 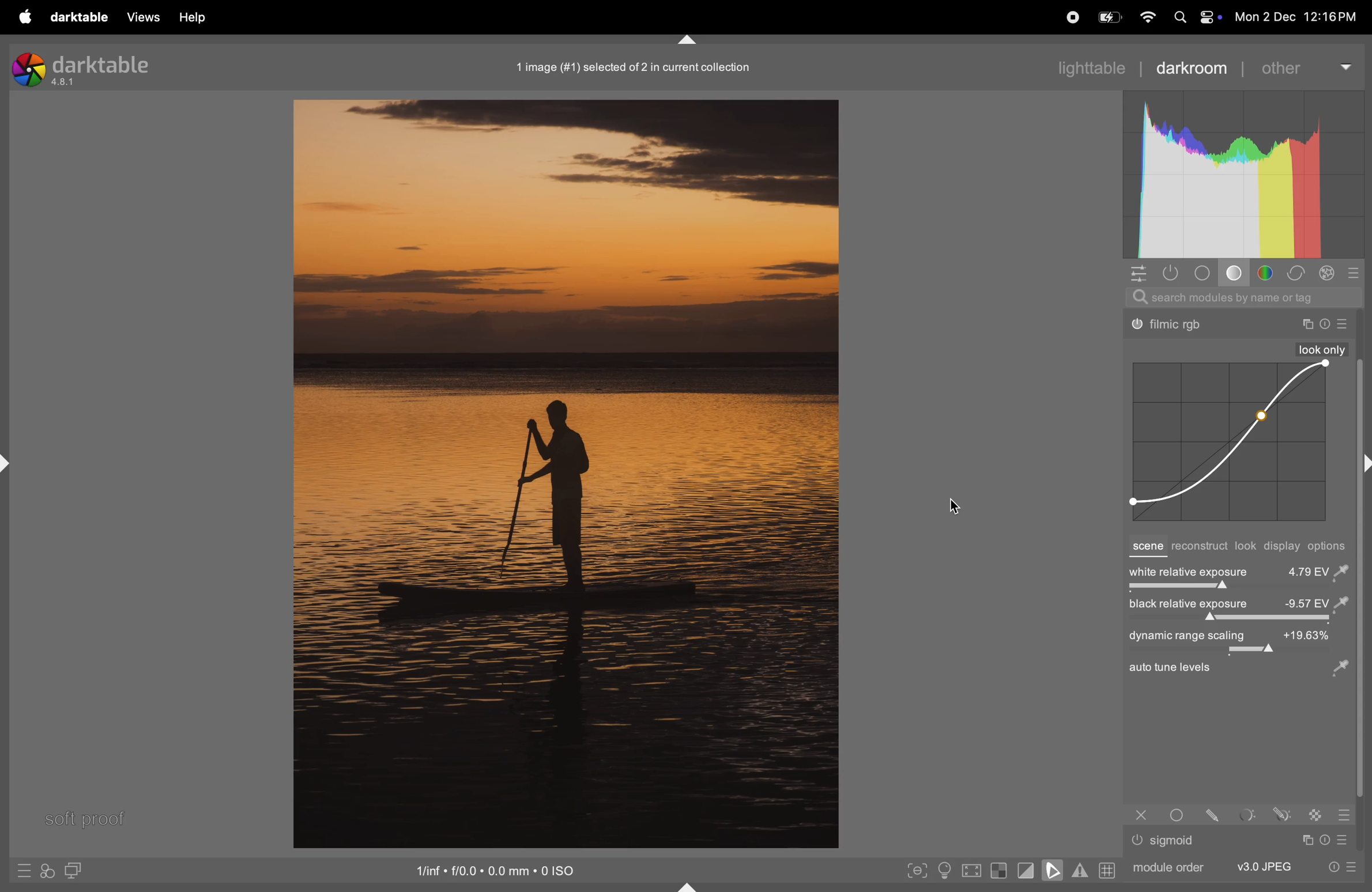 What do you see at coordinates (1325, 324) in the screenshot?
I see `` at bounding box center [1325, 324].